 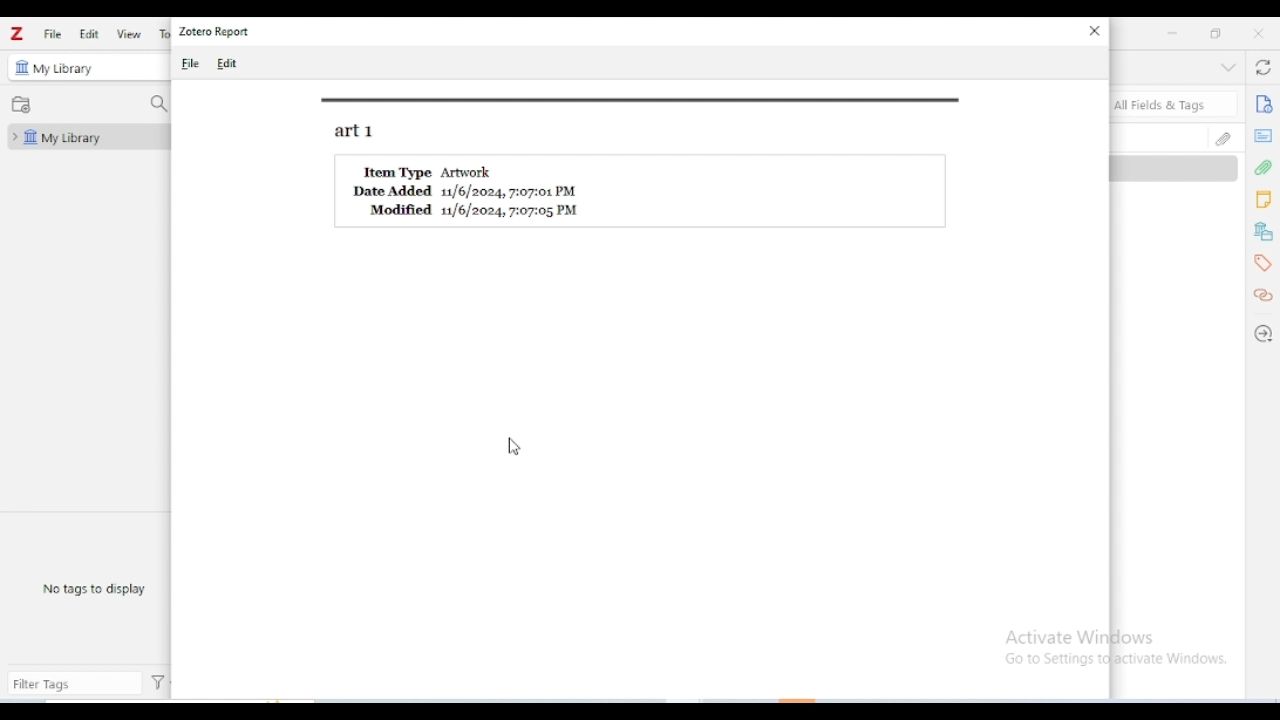 What do you see at coordinates (1264, 232) in the screenshot?
I see `libraries and collections` at bounding box center [1264, 232].